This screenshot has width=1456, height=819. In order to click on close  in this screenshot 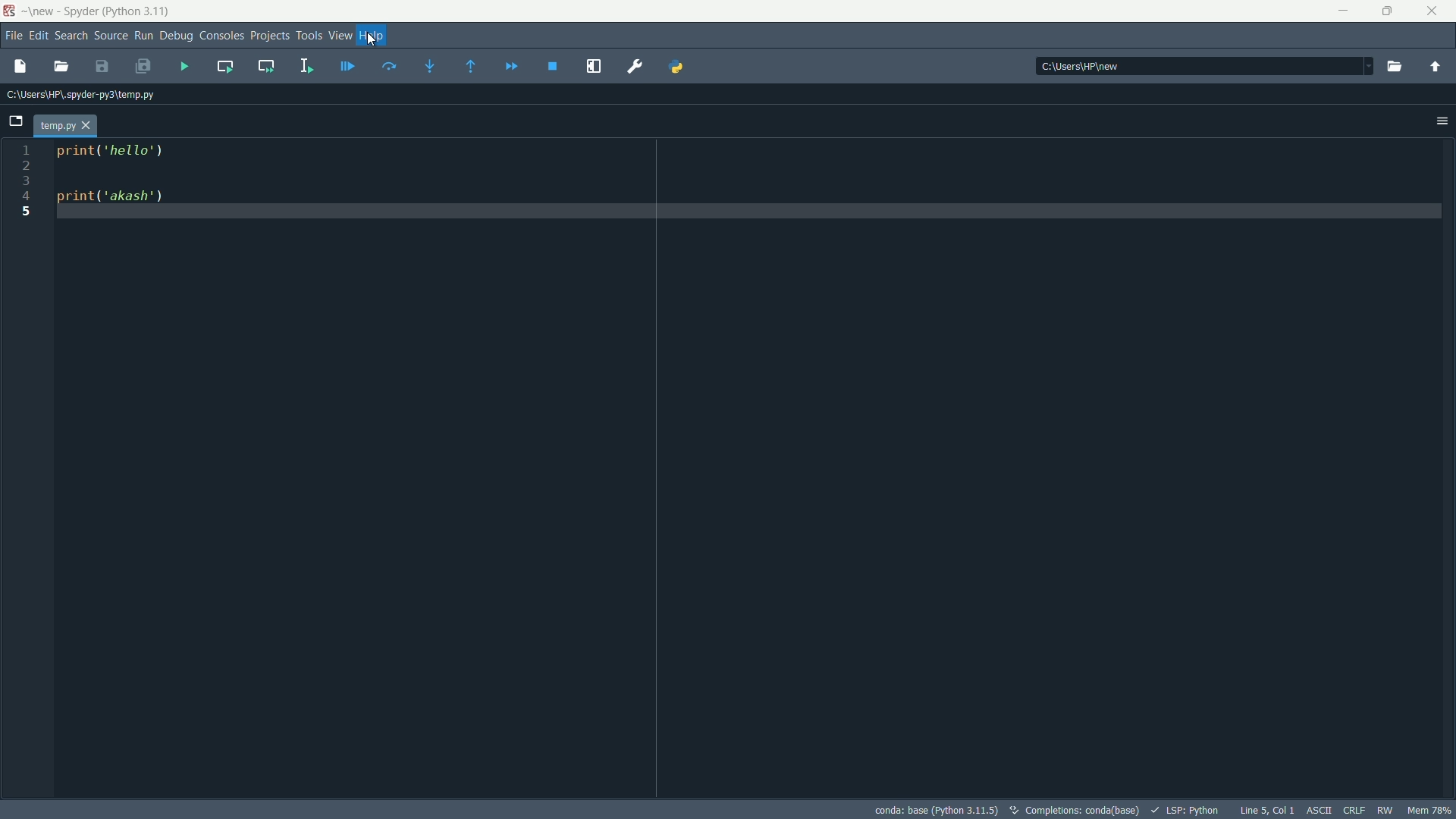, I will do `click(1435, 11)`.